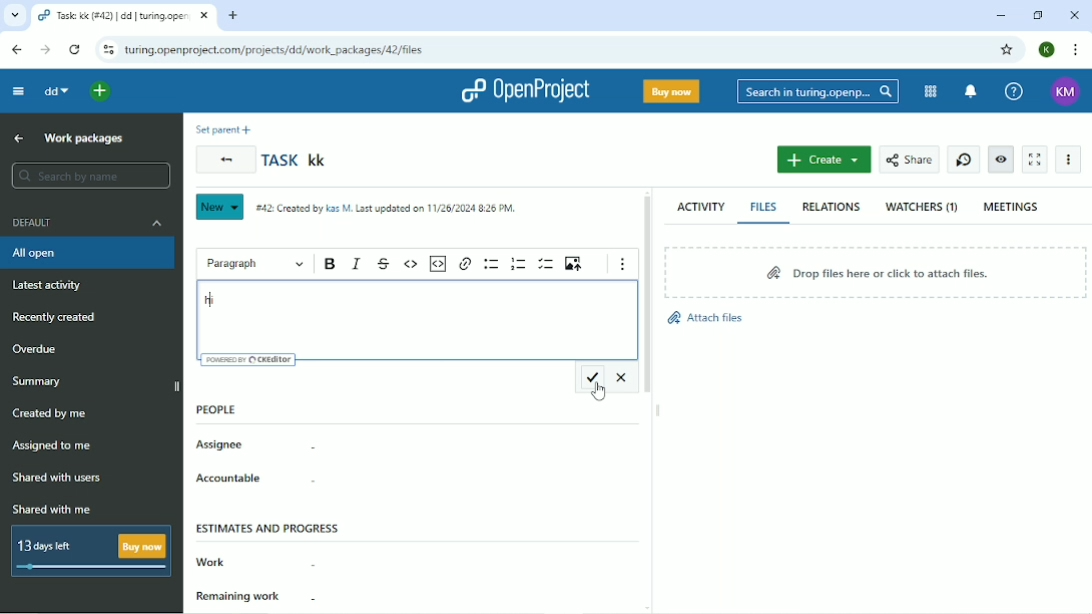 This screenshot has height=614, width=1092. I want to click on Upload image from computer, so click(575, 263).